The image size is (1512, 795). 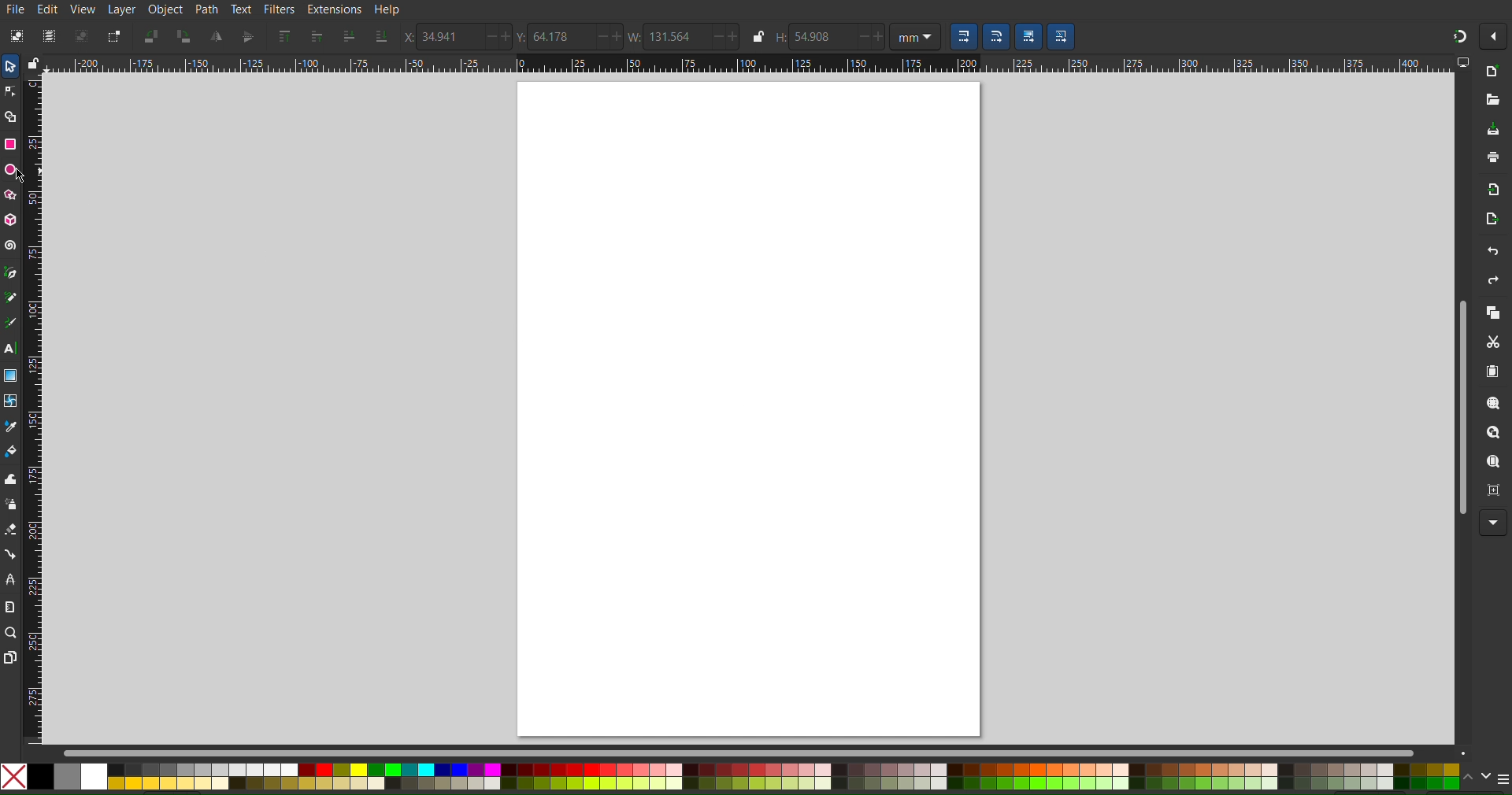 What do you see at coordinates (1492, 462) in the screenshot?
I see `Zoom Page` at bounding box center [1492, 462].